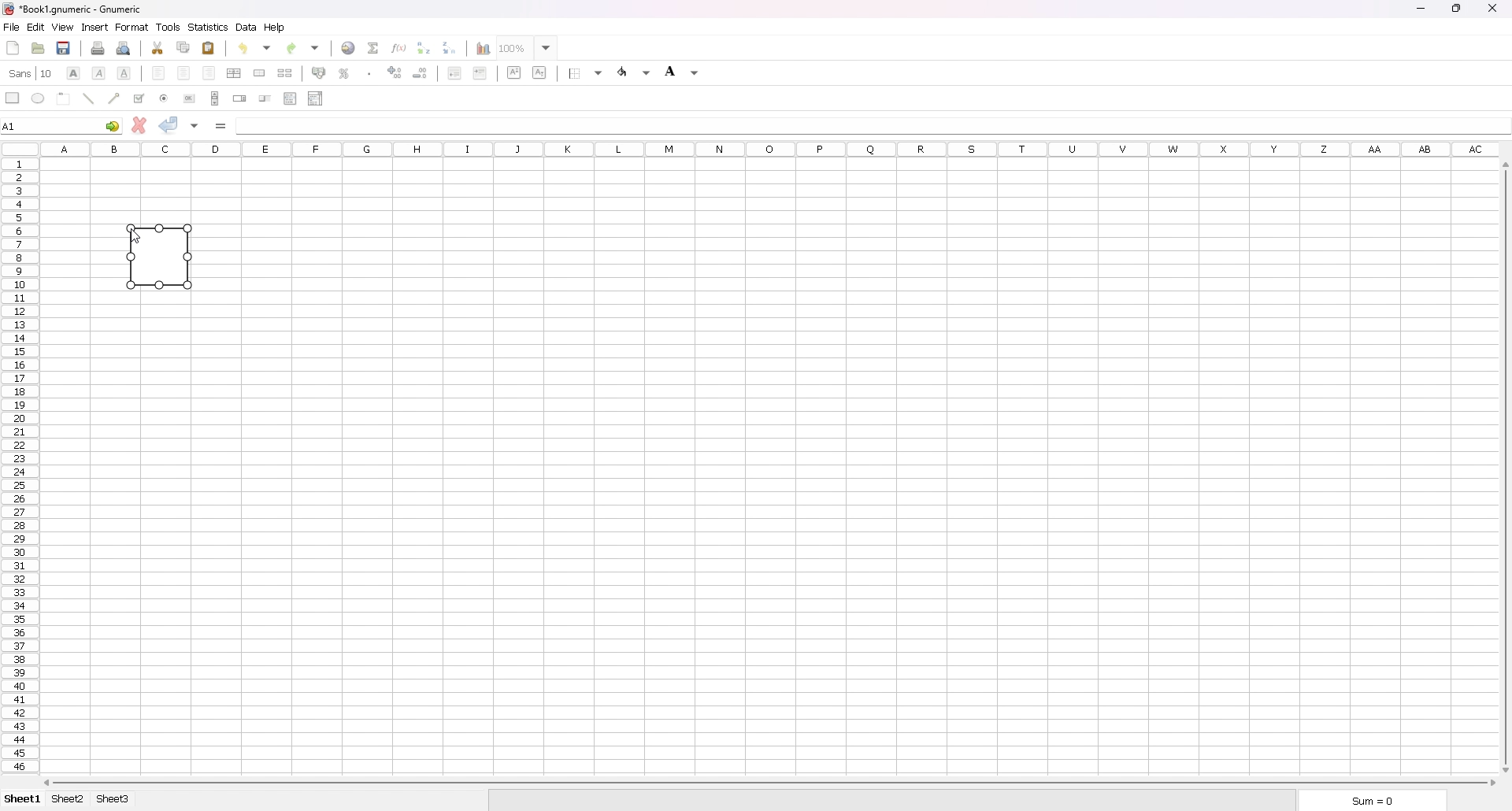 The height and width of the screenshot is (811, 1512). Describe the element at coordinates (13, 98) in the screenshot. I see `rectangle` at that location.